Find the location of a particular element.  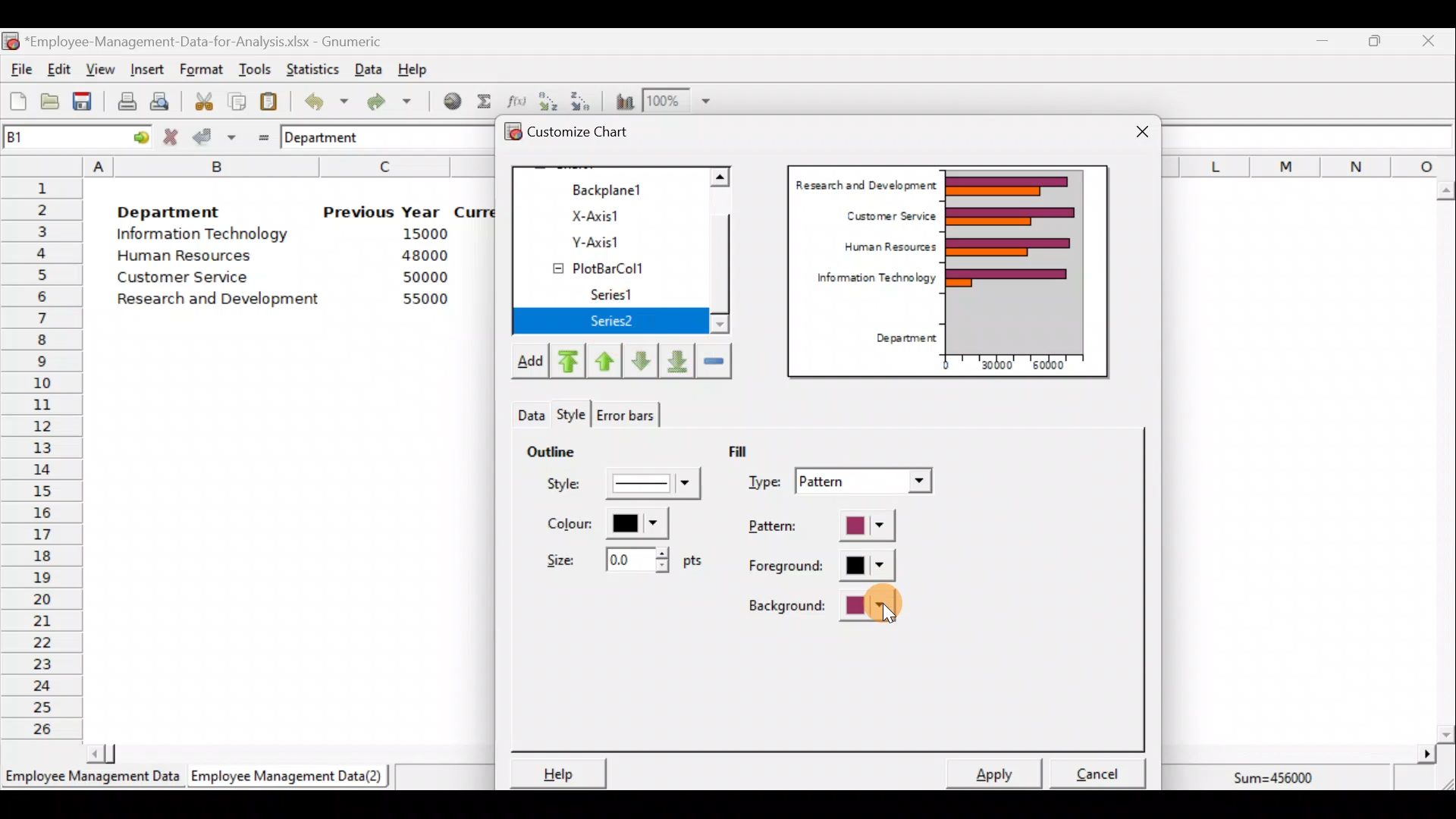

60000" is located at coordinates (1057, 367).